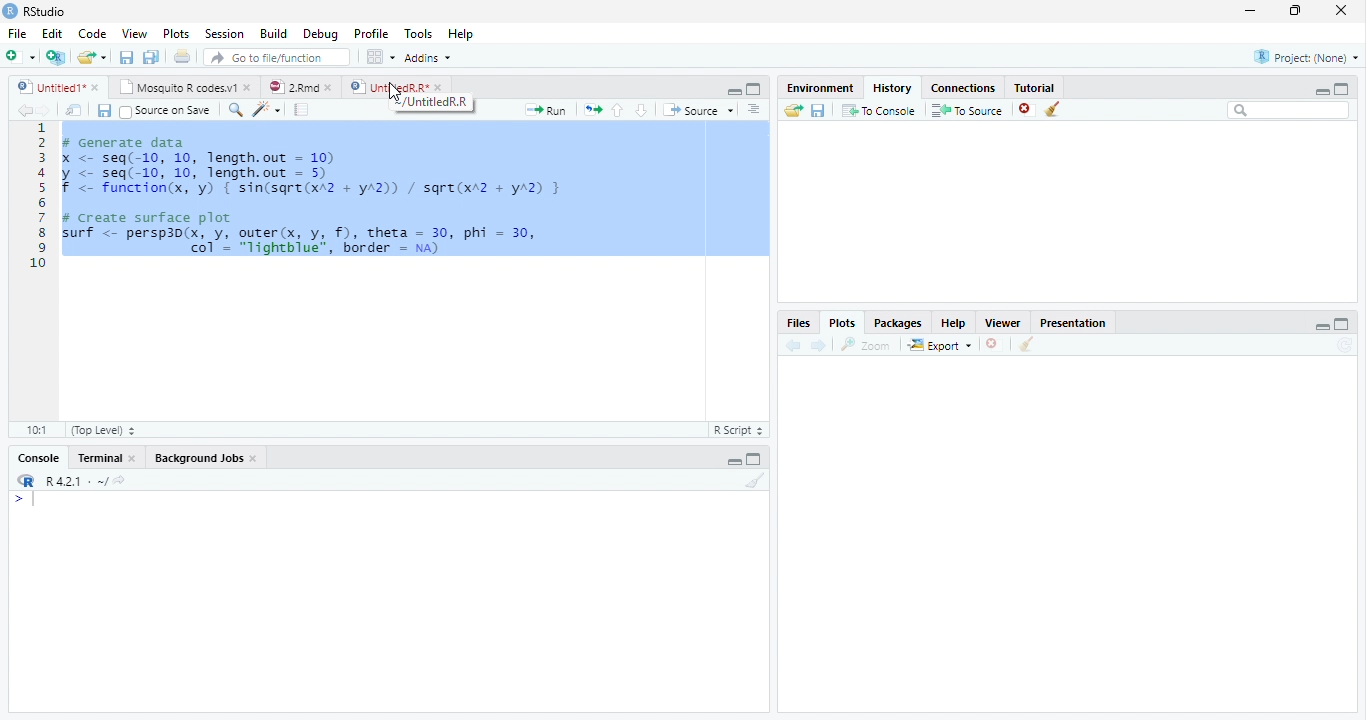  Describe the element at coordinates (753, 461) in the screenshot. I see `Maximize` at that location.